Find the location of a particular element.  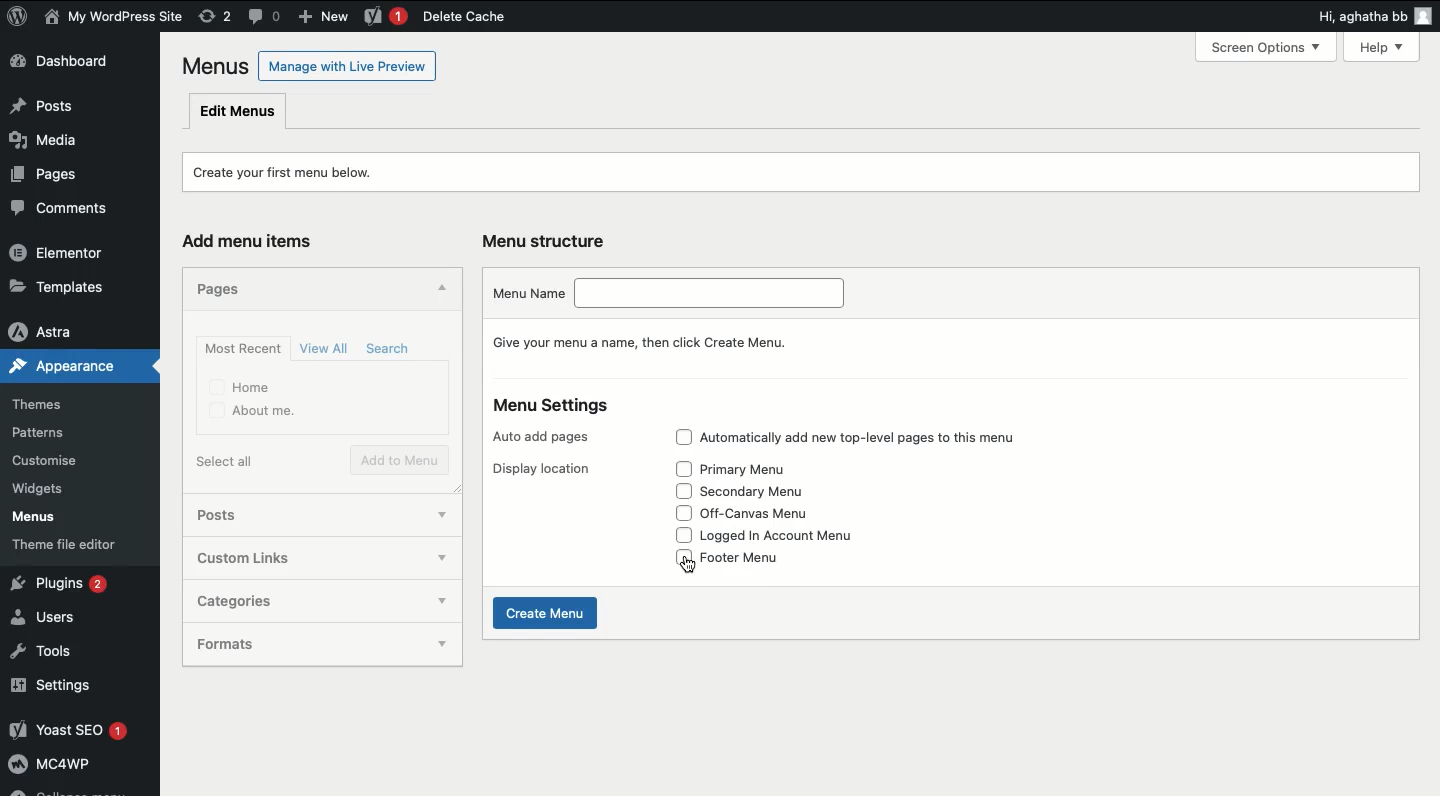

Auto add pages is located at coordinates (540, 438).